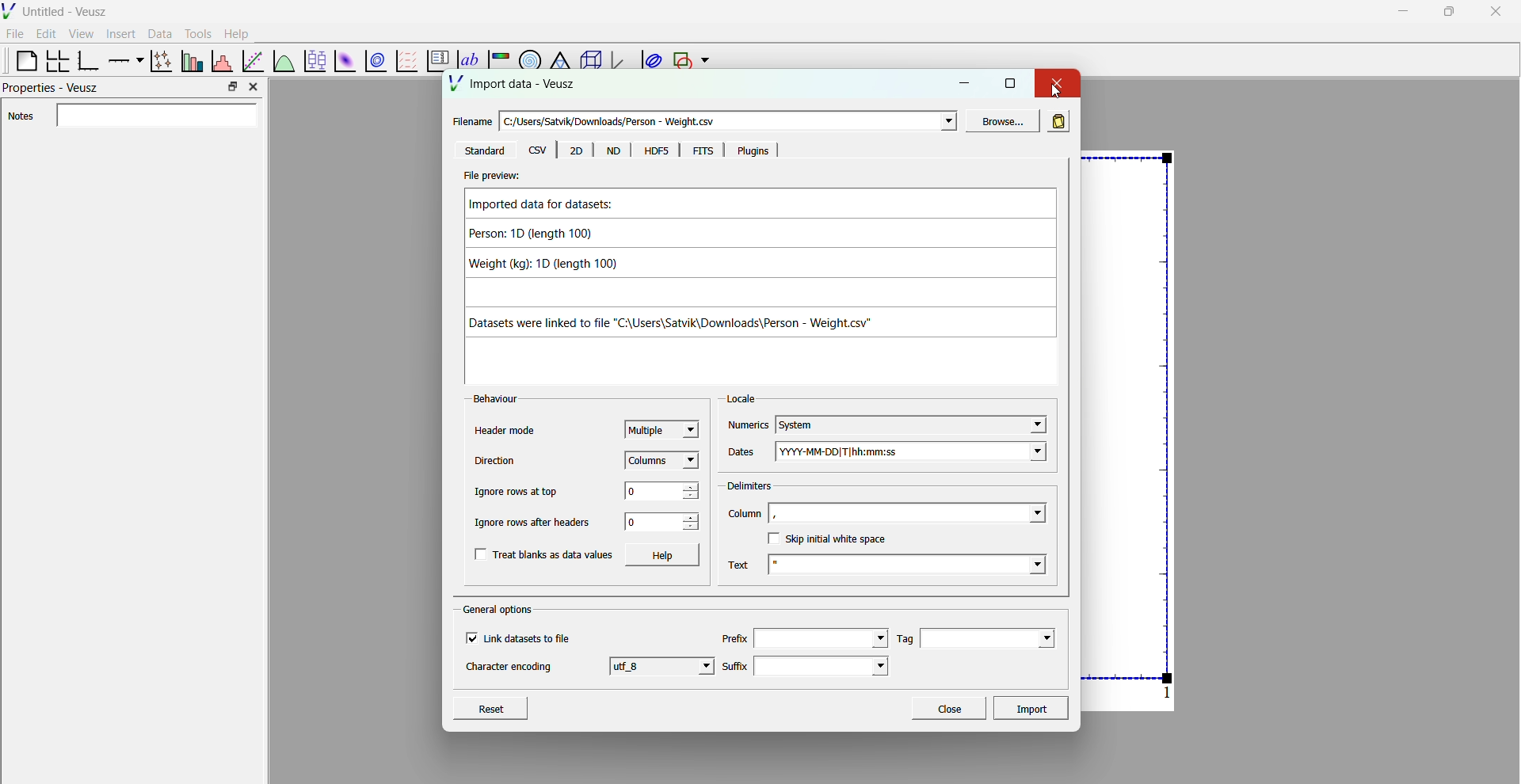 The height and width of the screenshot is (784, 1521). Describe the element at coordinates (743, 447) in the screenshot. I see `Dates` at that location.